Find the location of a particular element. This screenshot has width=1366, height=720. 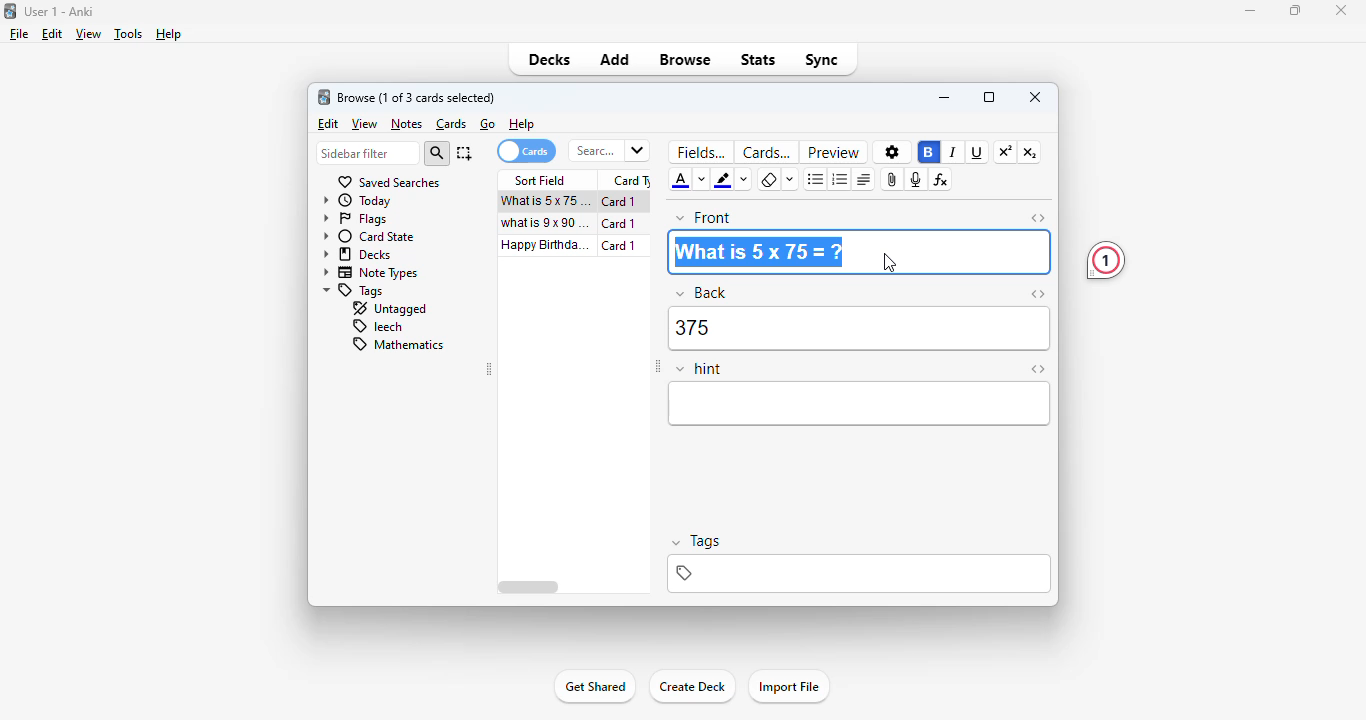

tags is located at coordinates (697, 541).